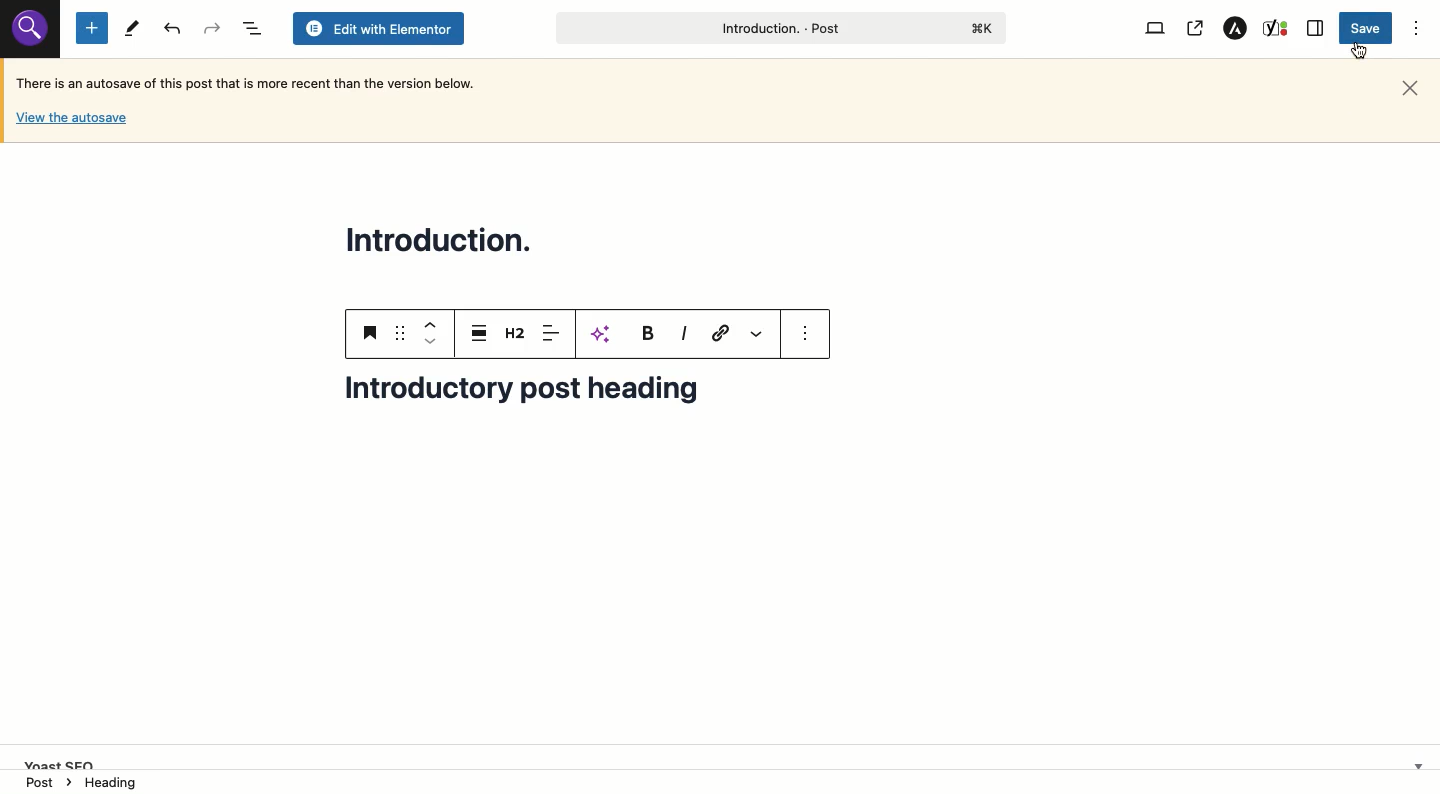  Describe the element at coordinates (727, 755) in the screenshot. I see `Yoast SEO` at that location.